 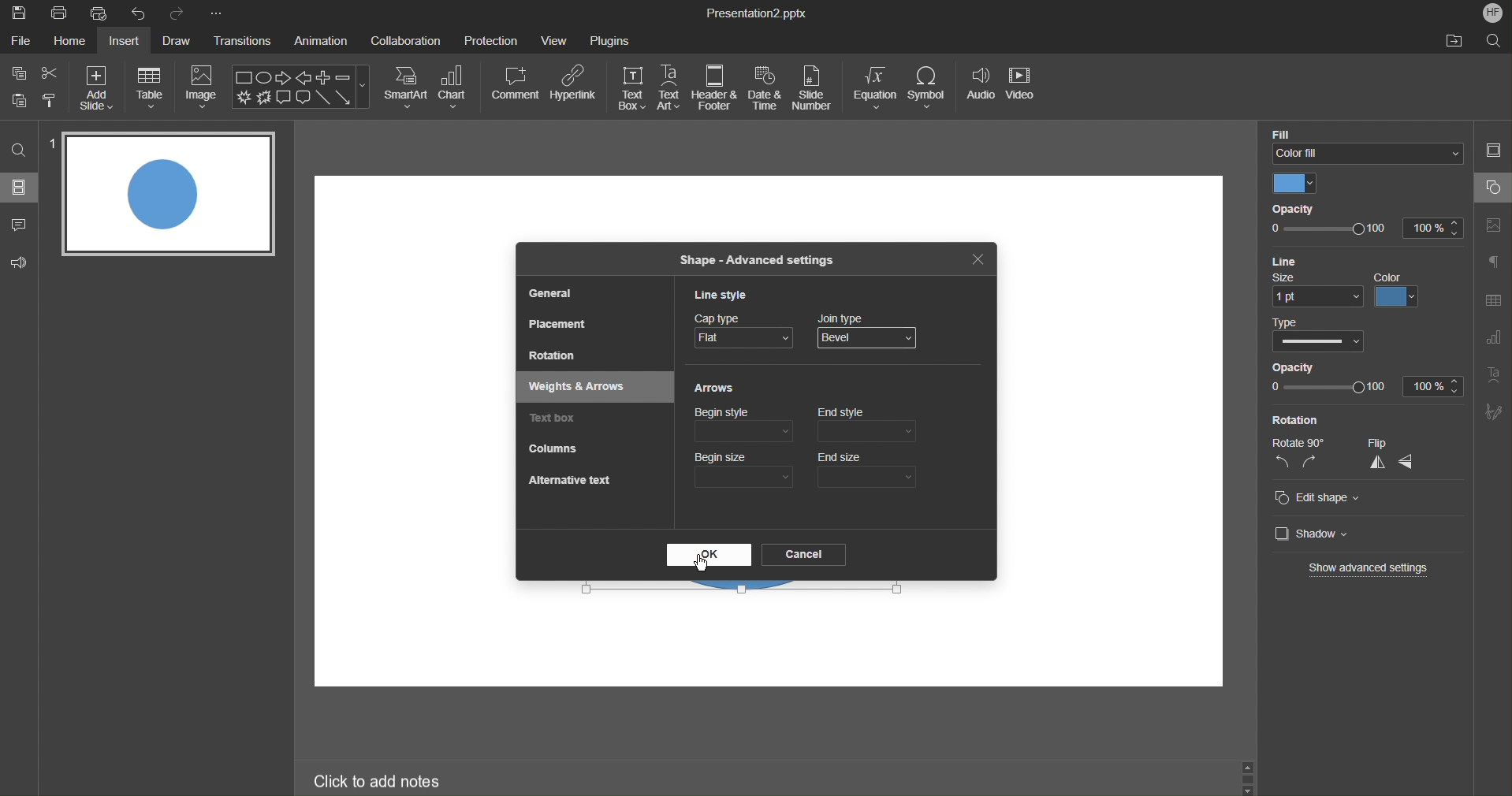 I want to click on Presentation2, so click(x=755, y=15).